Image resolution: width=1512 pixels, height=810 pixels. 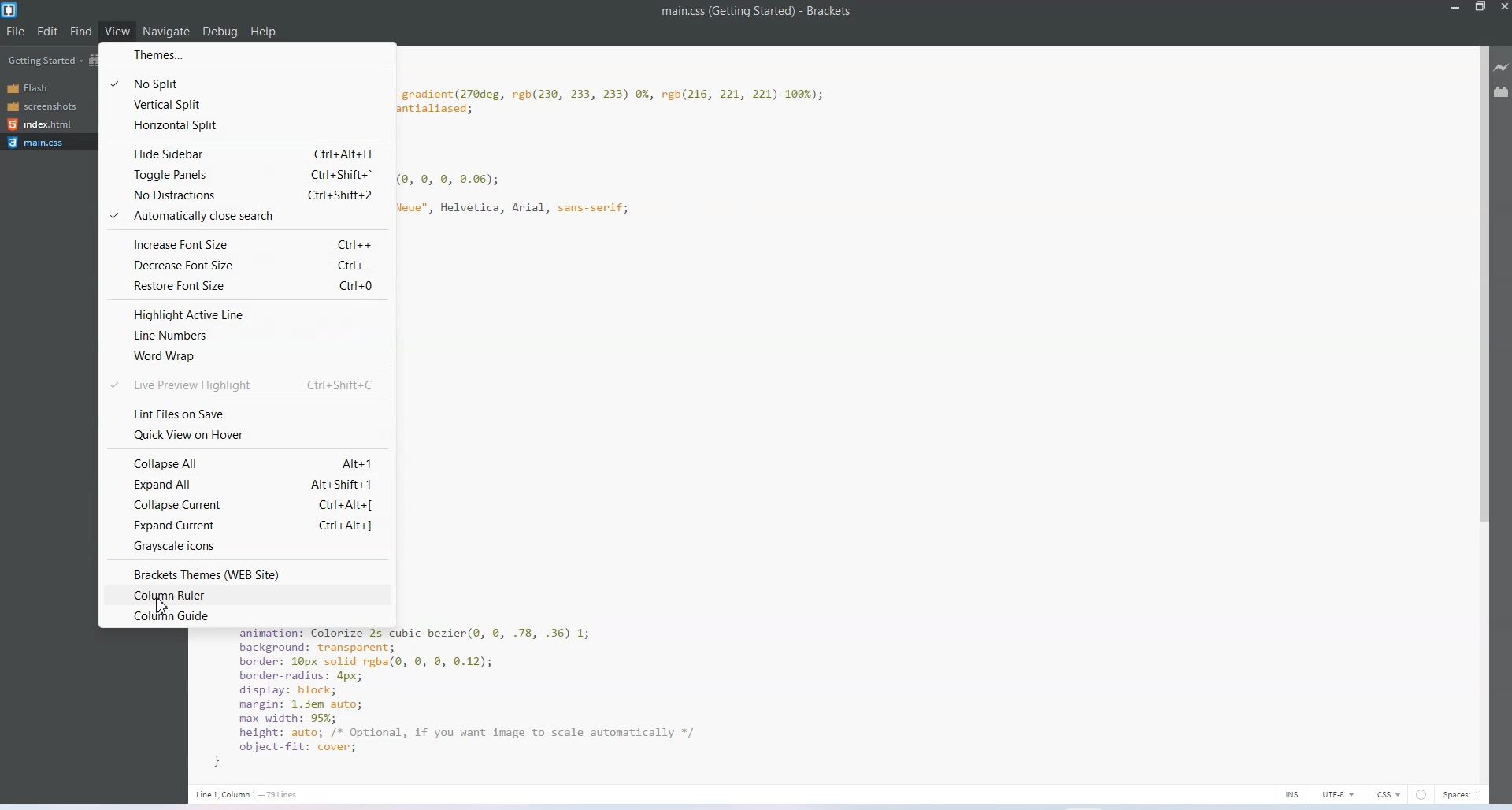 I want to click on main.css, so click(x=43, y=143).